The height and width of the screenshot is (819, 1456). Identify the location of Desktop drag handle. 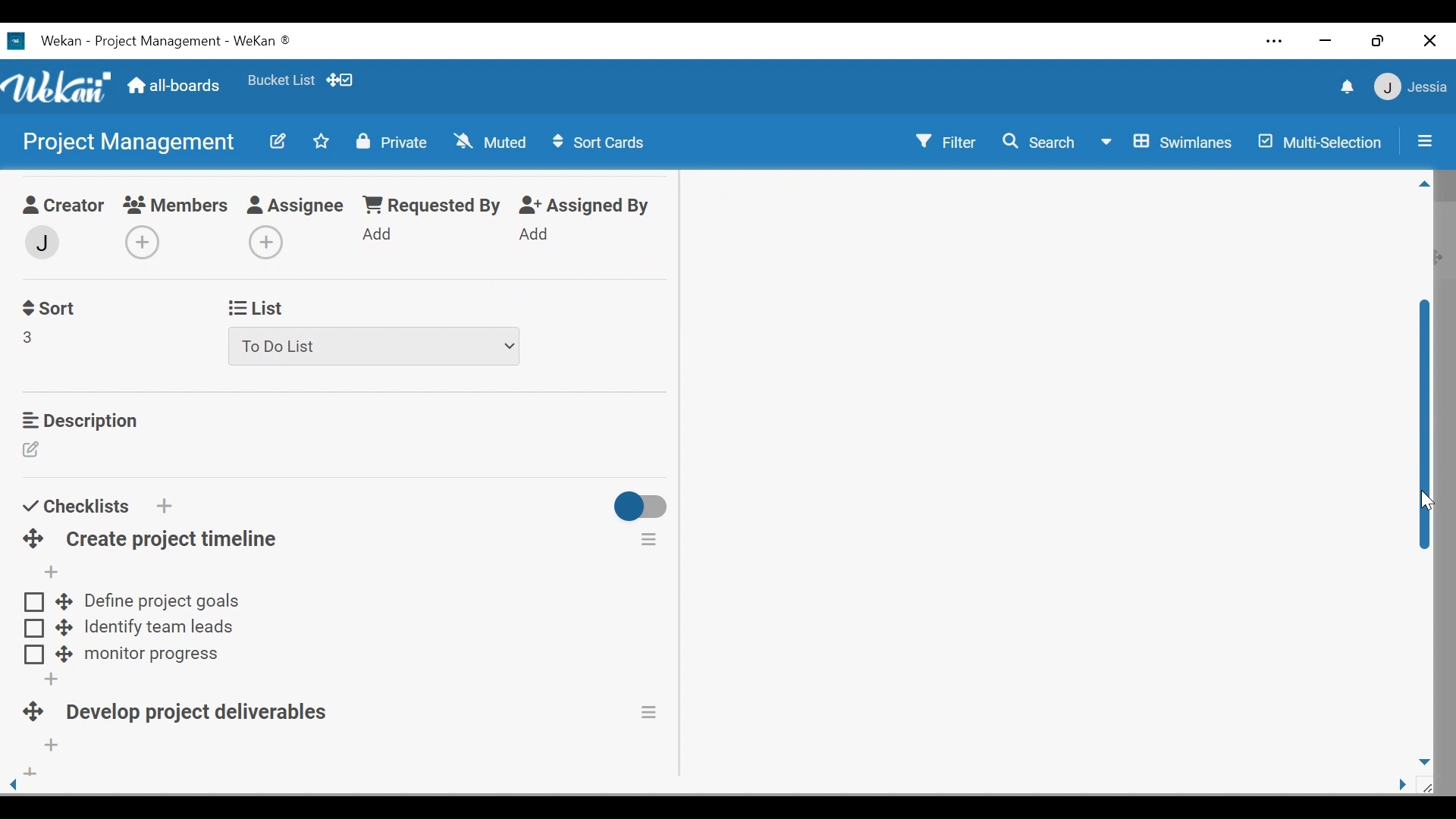
(63, 655).